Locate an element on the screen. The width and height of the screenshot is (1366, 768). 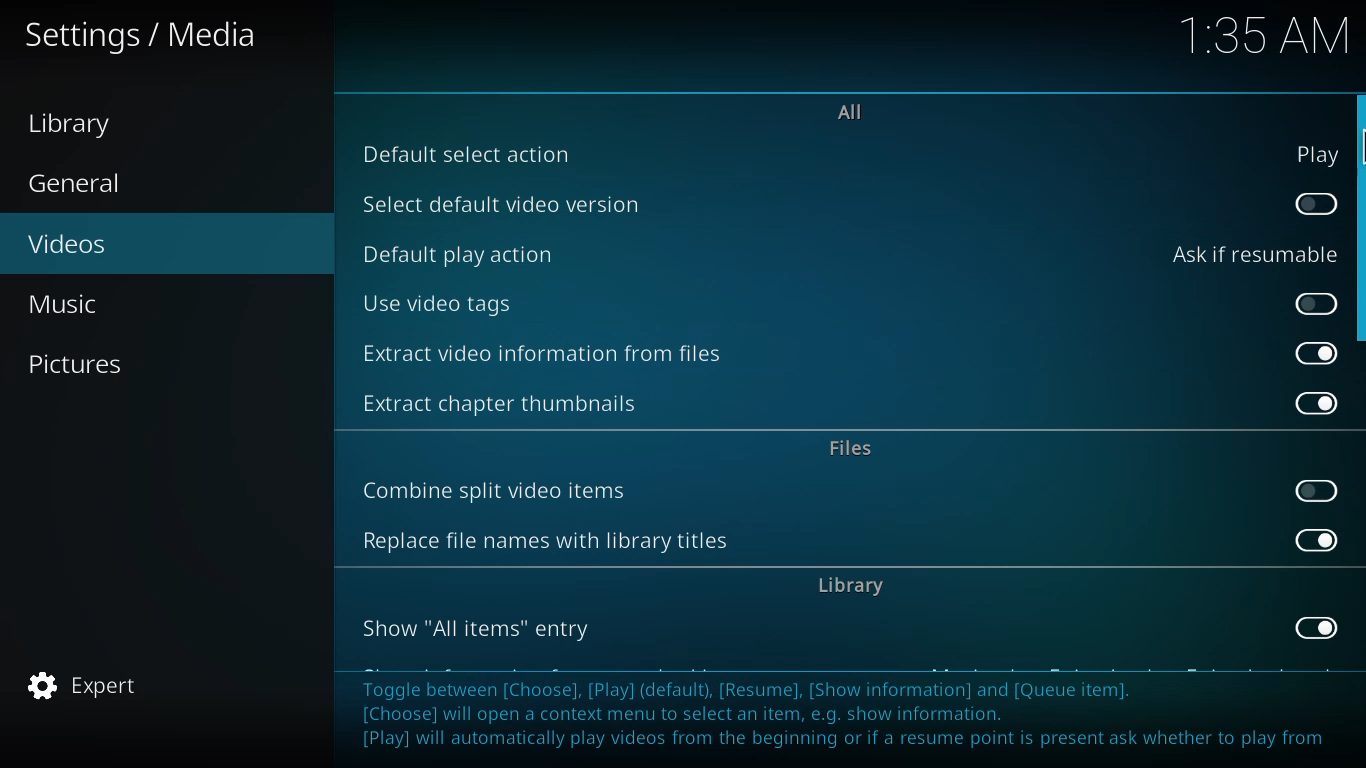
music is located at coordinates (71, 303).